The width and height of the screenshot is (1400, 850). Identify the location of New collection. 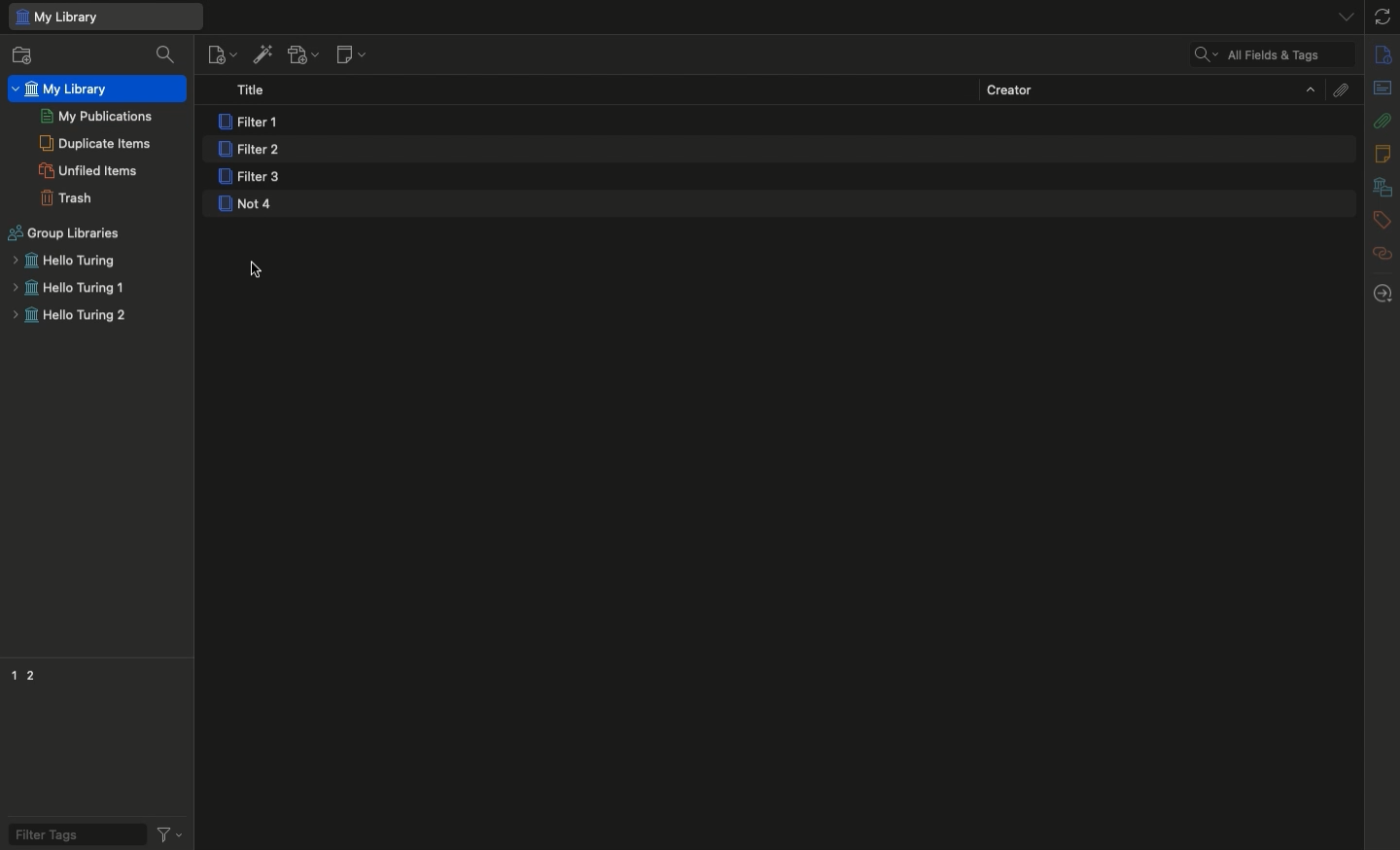
(18, 54).